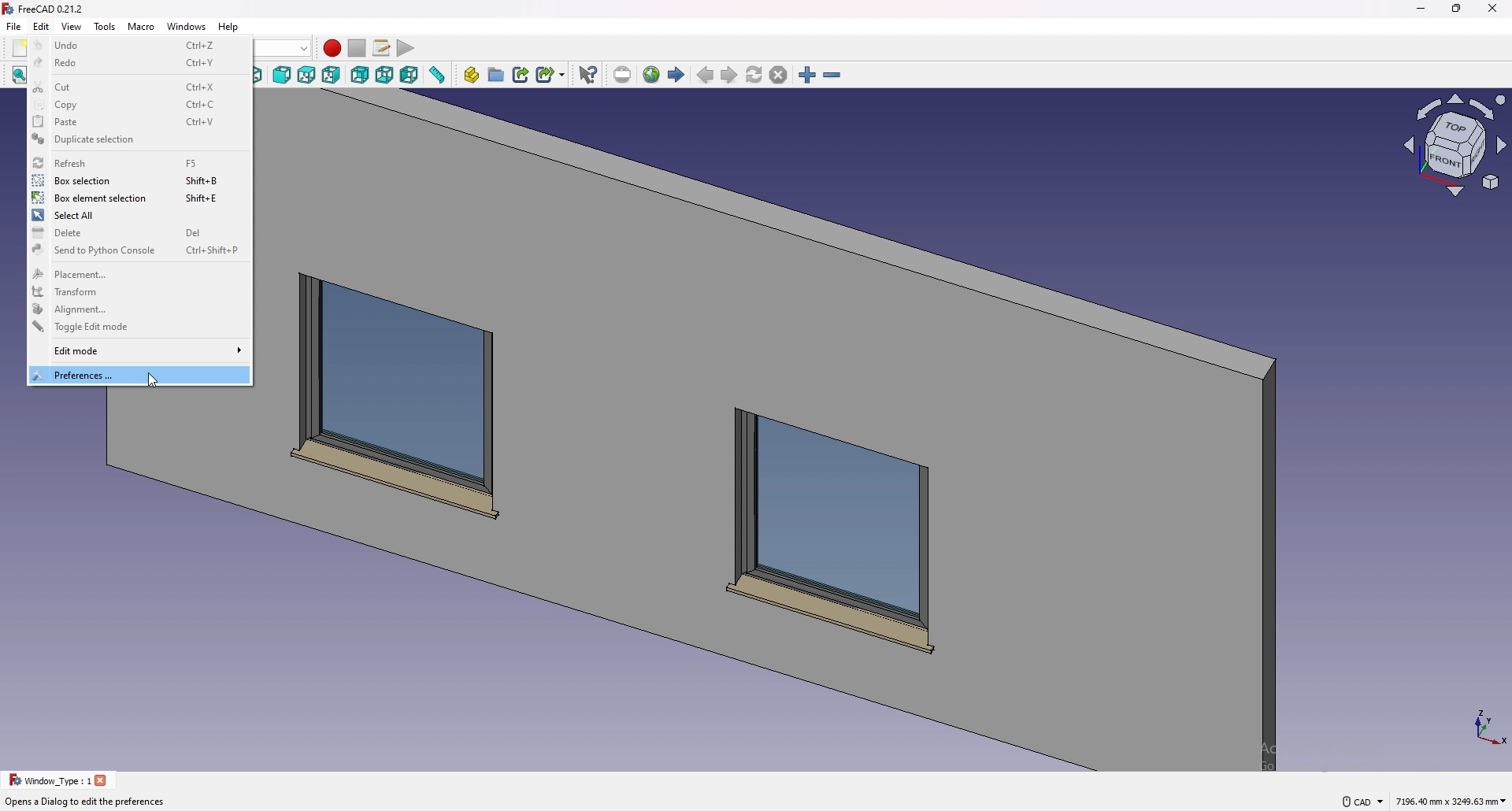 Image resolution: width=1512 pixels, height=811 pixels. Describe the element at coordinates (385, 76) in the screenshot. I see `bottom` at that location.